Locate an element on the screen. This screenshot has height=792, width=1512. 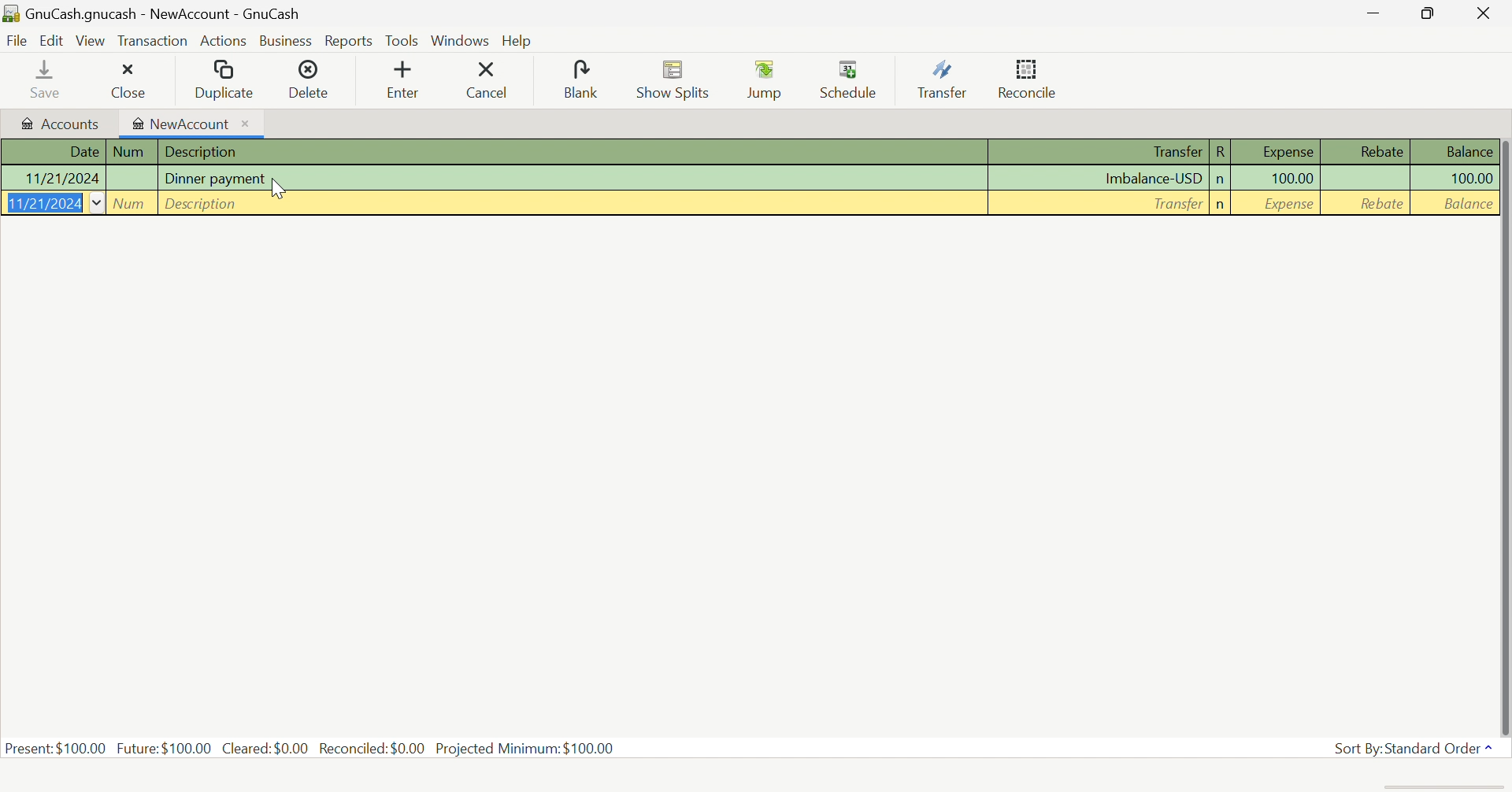
Actions is located at coordinates (224, 41).